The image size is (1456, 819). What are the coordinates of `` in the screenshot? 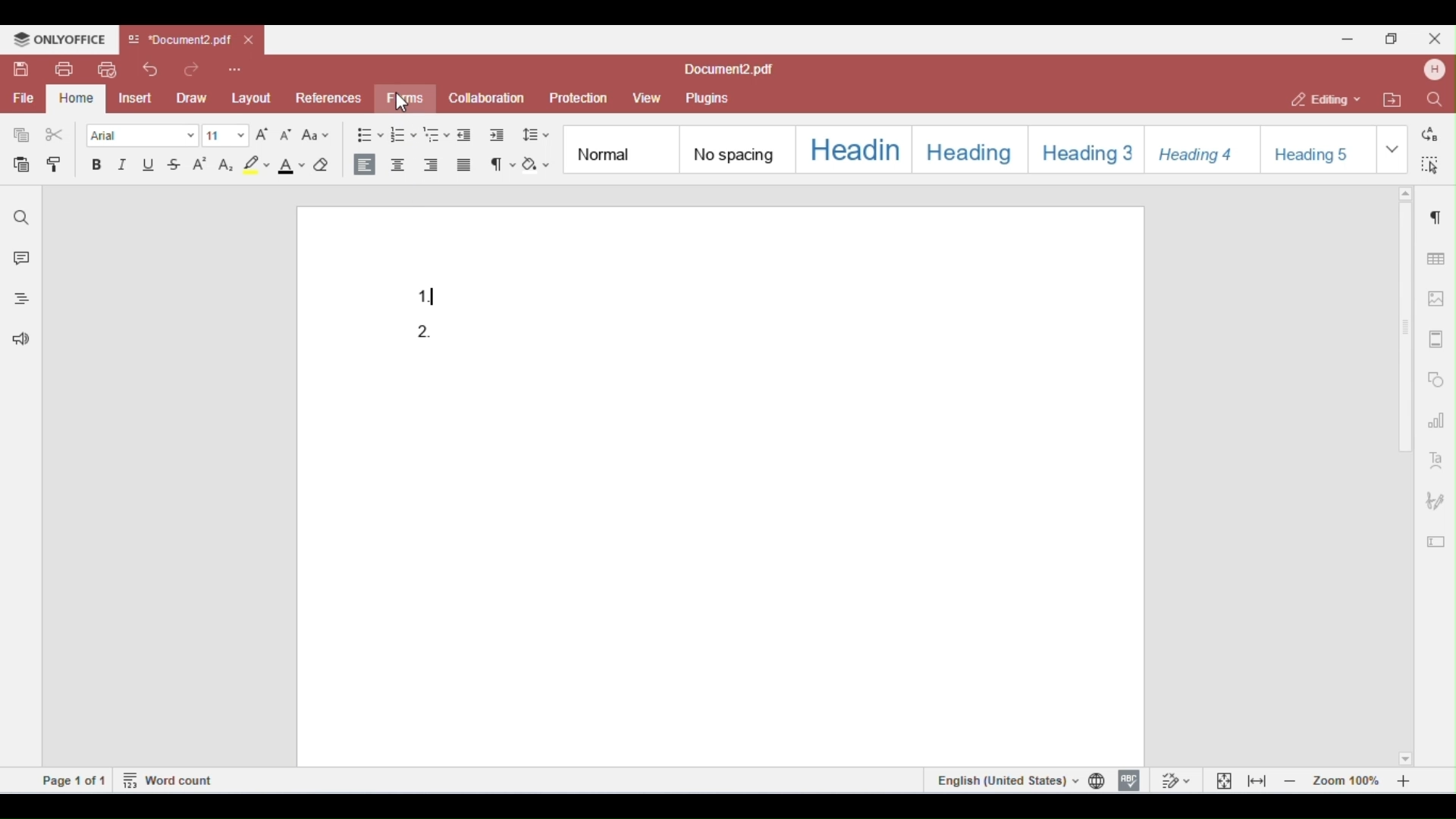 It's located at (479, 136).